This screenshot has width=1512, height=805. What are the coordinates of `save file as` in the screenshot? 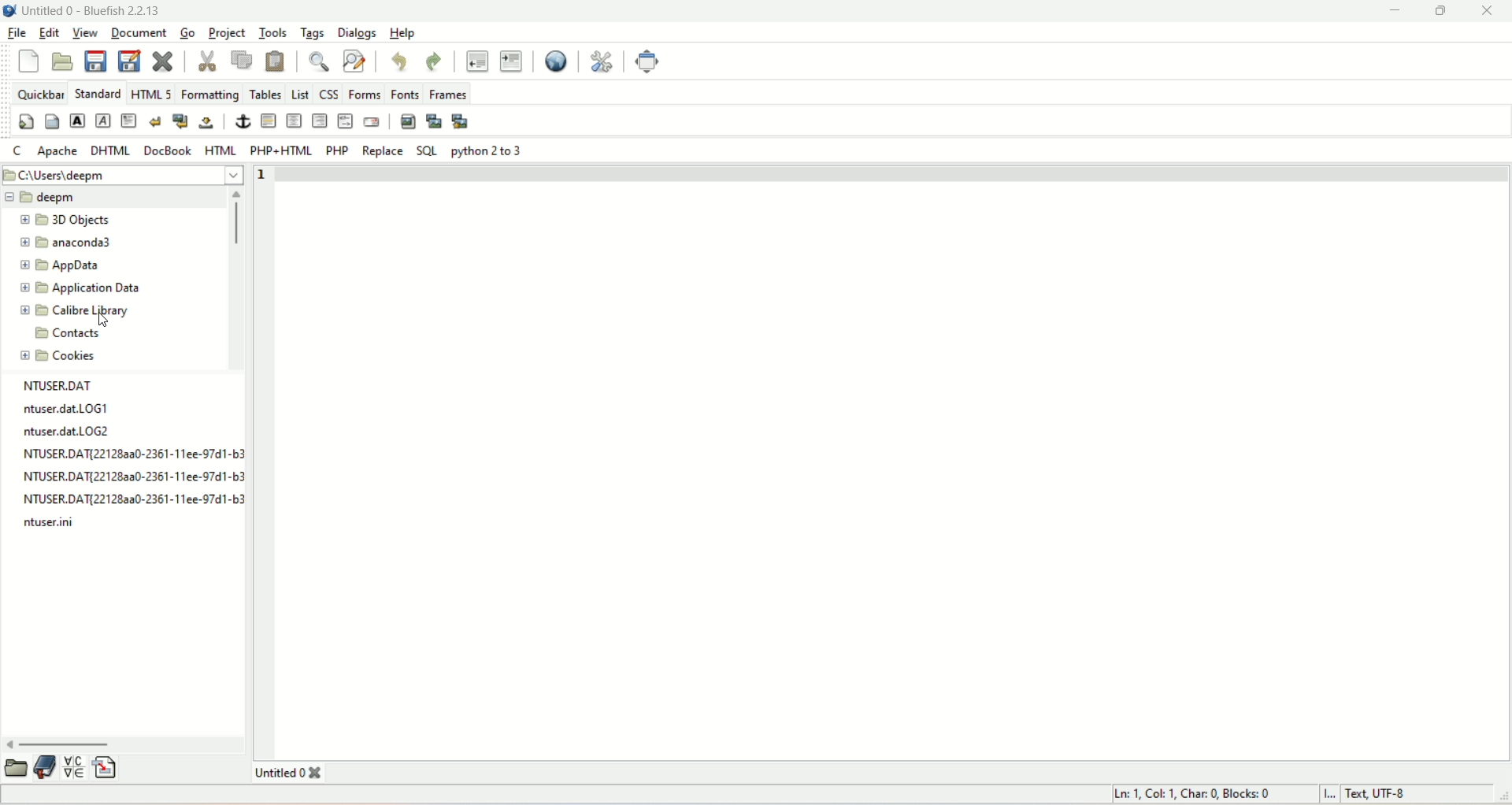 It's located at (128, 61).